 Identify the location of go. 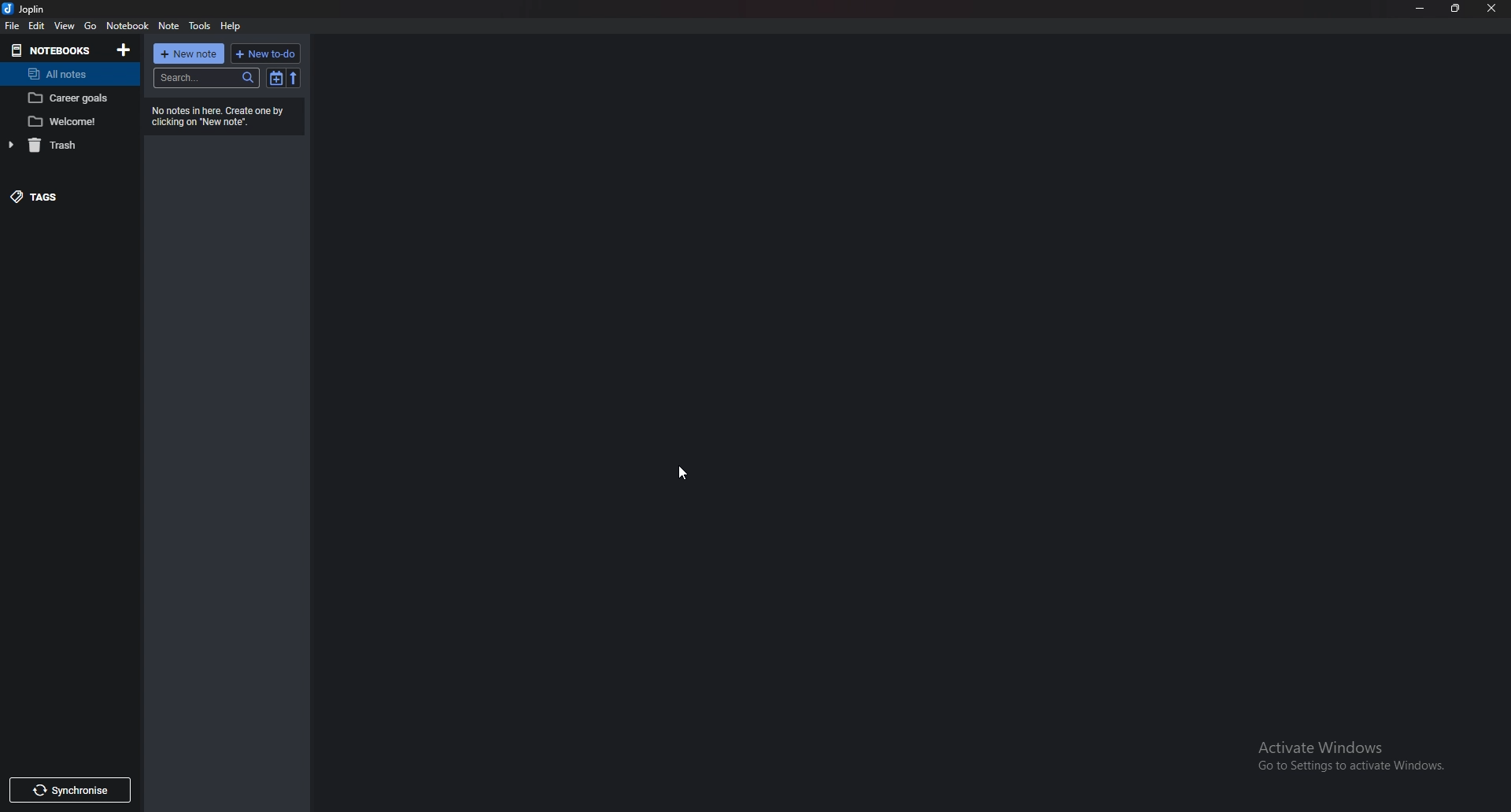
(90, 26).